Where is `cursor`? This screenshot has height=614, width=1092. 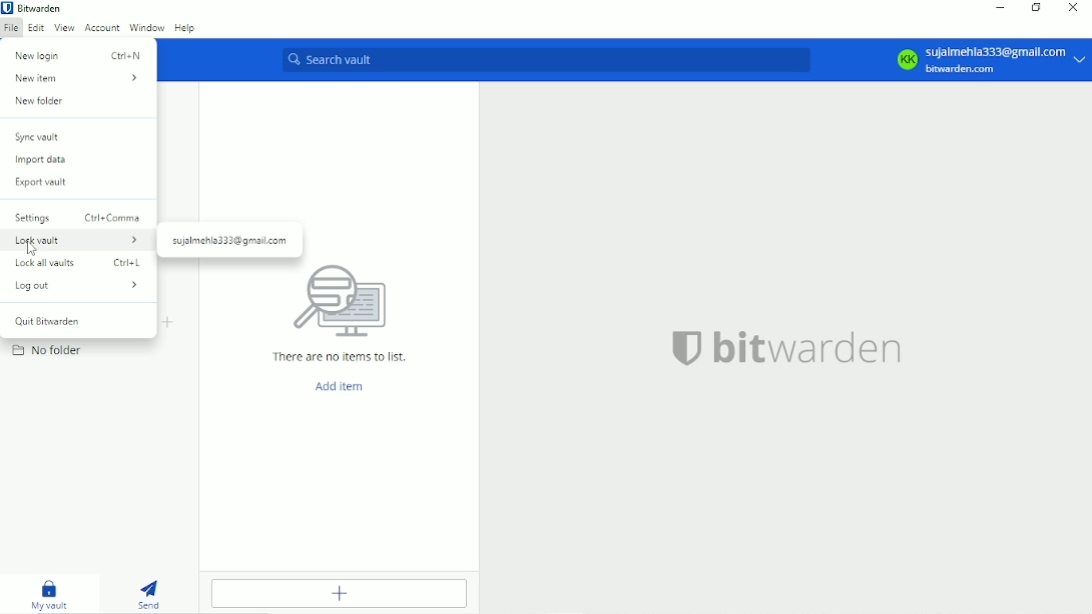 cursor is located at coordinates (33, 250).